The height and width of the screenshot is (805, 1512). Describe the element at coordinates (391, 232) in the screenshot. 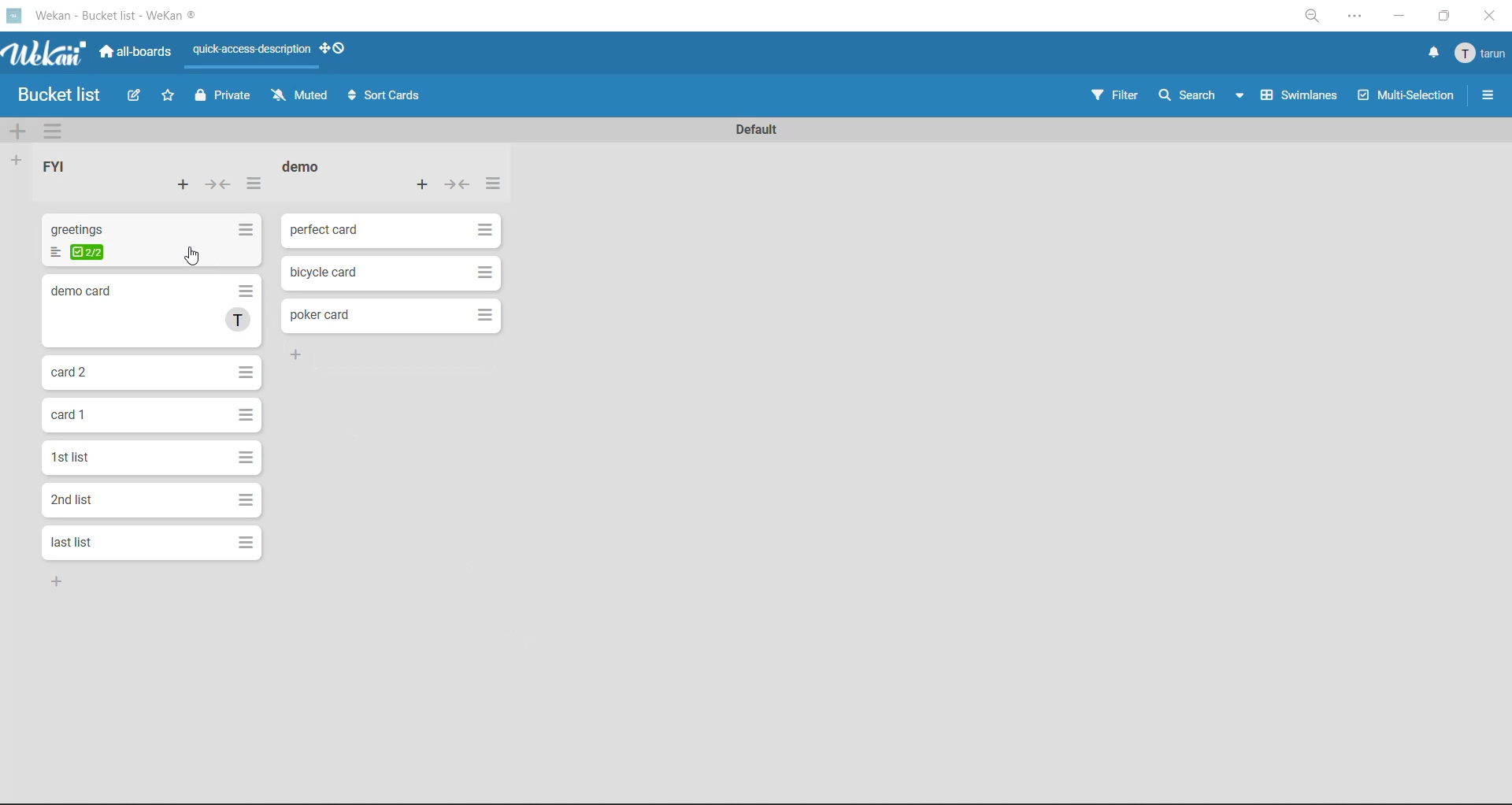

I see `cards` at that location.